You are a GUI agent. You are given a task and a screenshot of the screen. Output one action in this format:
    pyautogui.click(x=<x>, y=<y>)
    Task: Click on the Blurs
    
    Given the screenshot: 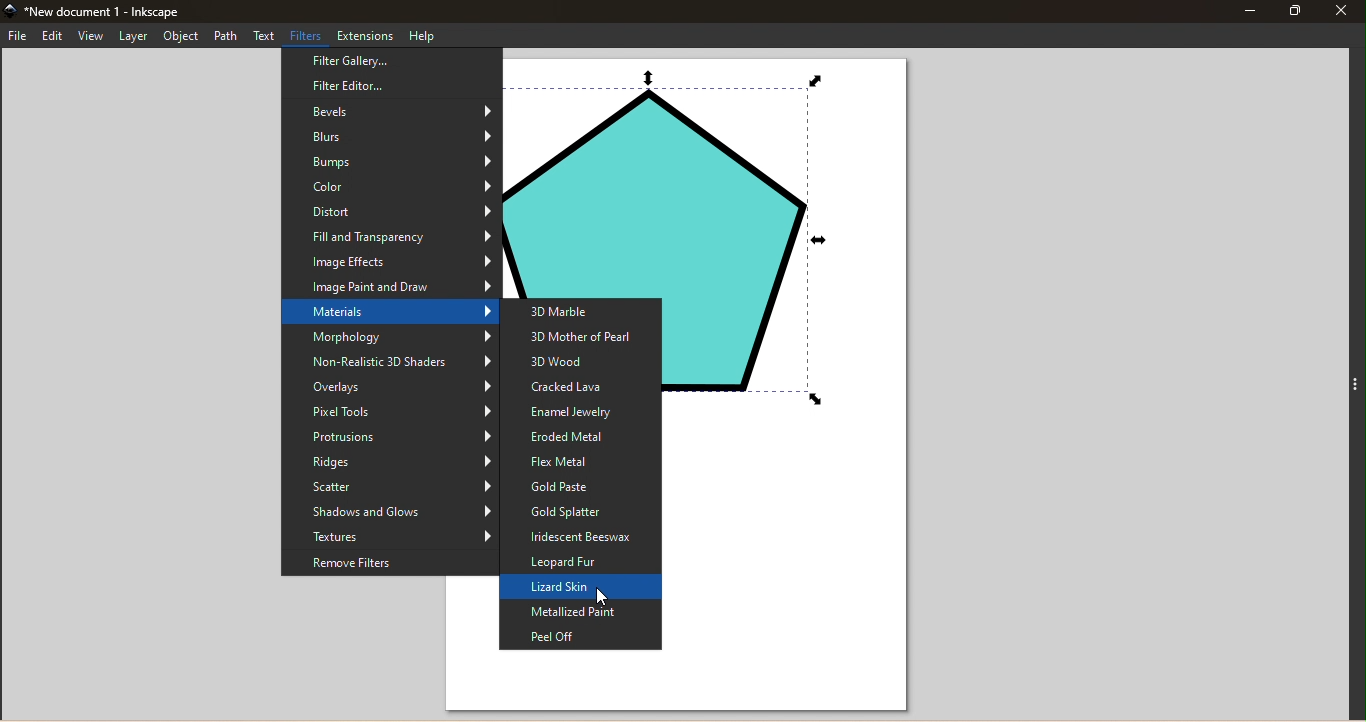 What is the action you would take?
    pyautogui.click(x=393, y=138)
    